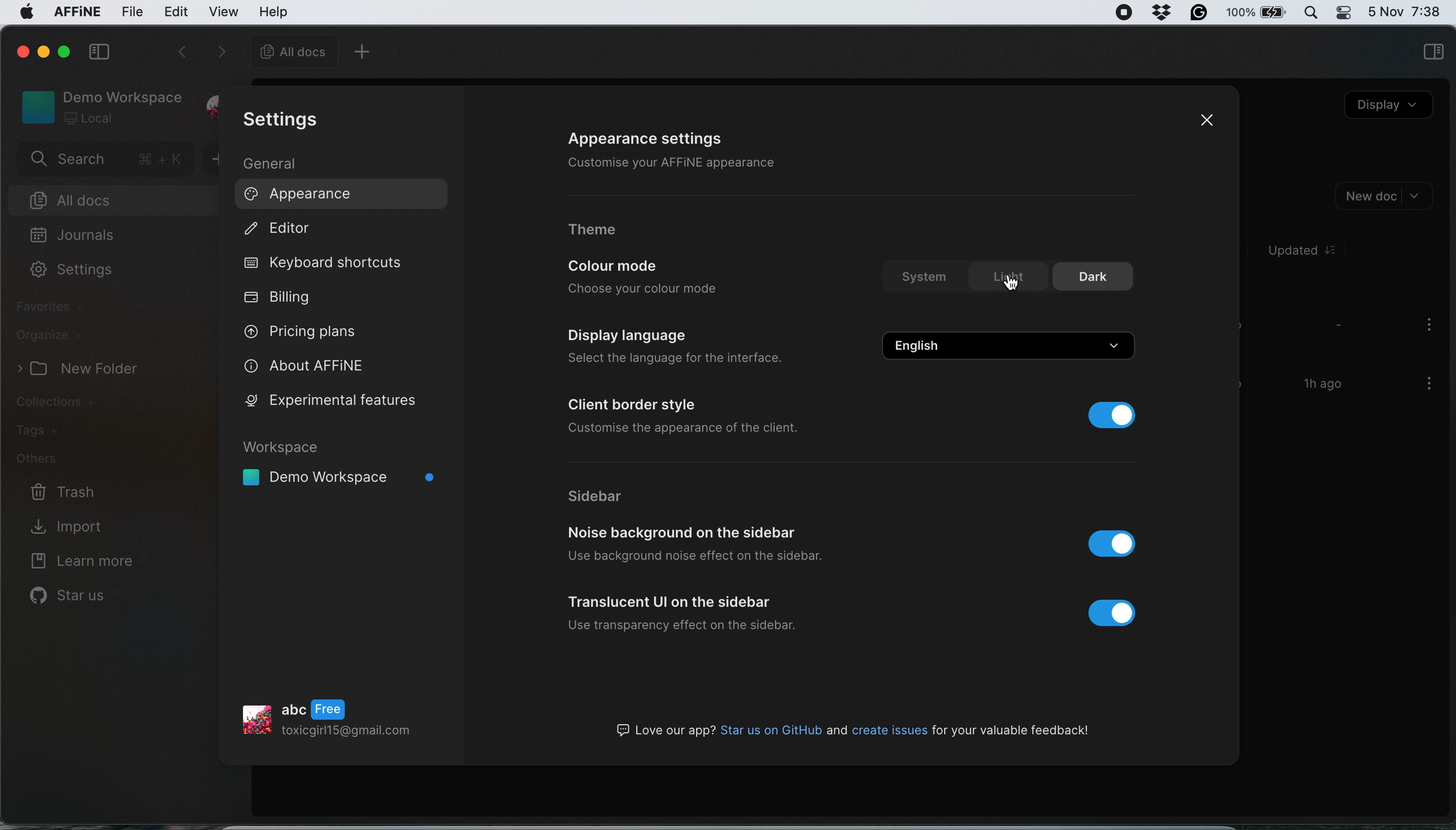 The height and width of the screenshot is (830, 1456). What do you see at coordinates (1099, 276) in the screenshot?
I see `dark` at bounding box center [1099, 276].